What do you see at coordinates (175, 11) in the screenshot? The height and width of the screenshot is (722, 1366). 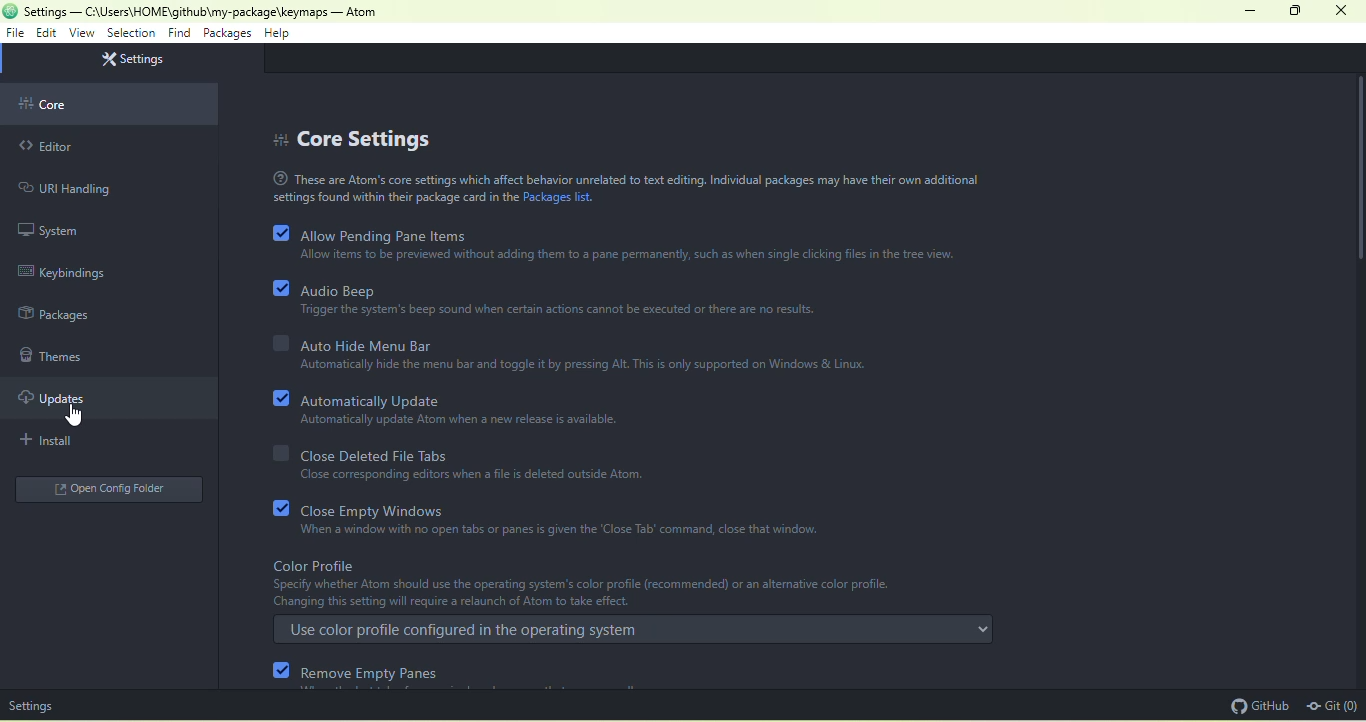 I see `current directory` at bounding box center [175, 11].